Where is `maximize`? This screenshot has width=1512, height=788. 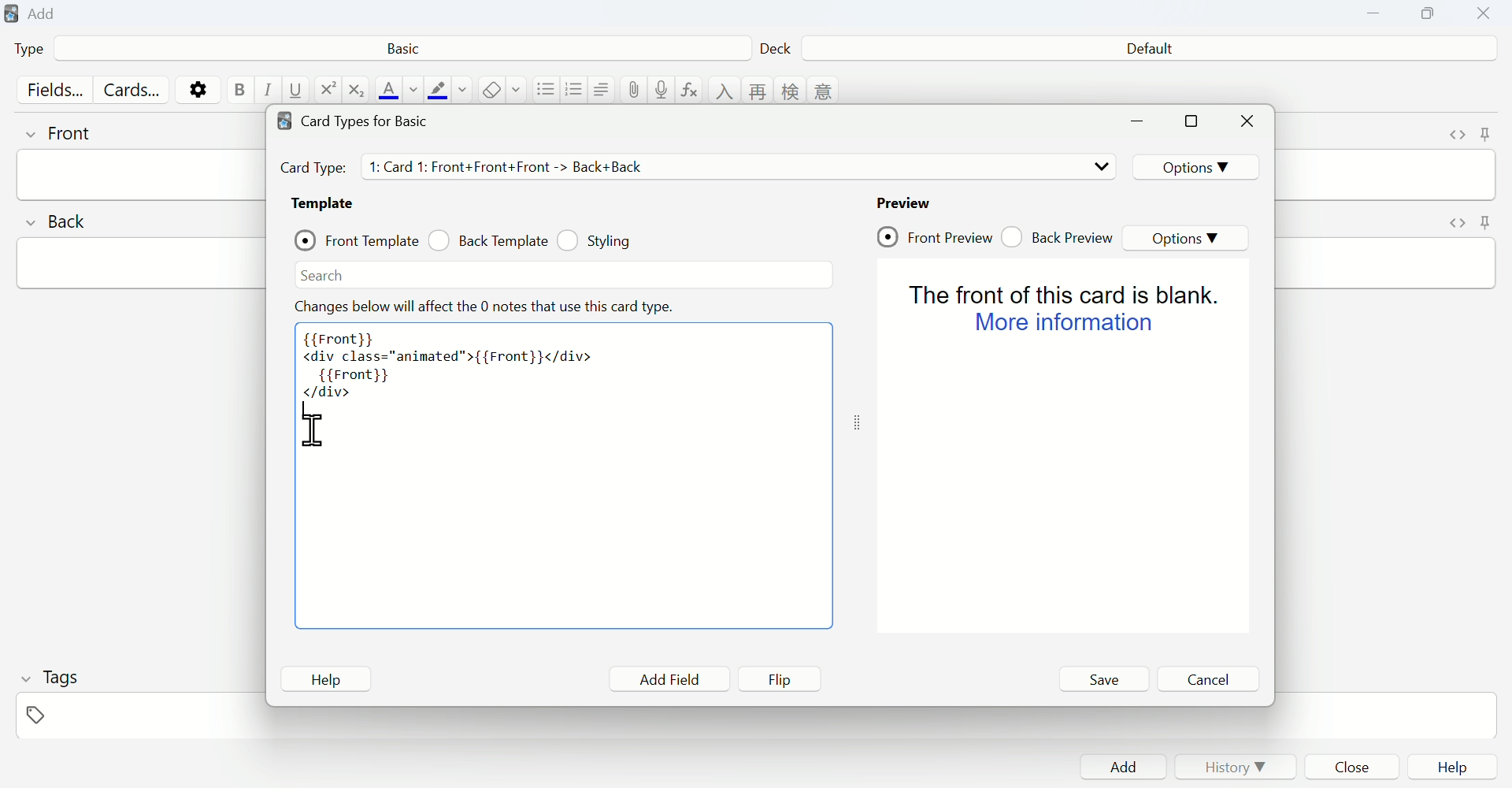
maximize is located at coordinates (1194, 125).